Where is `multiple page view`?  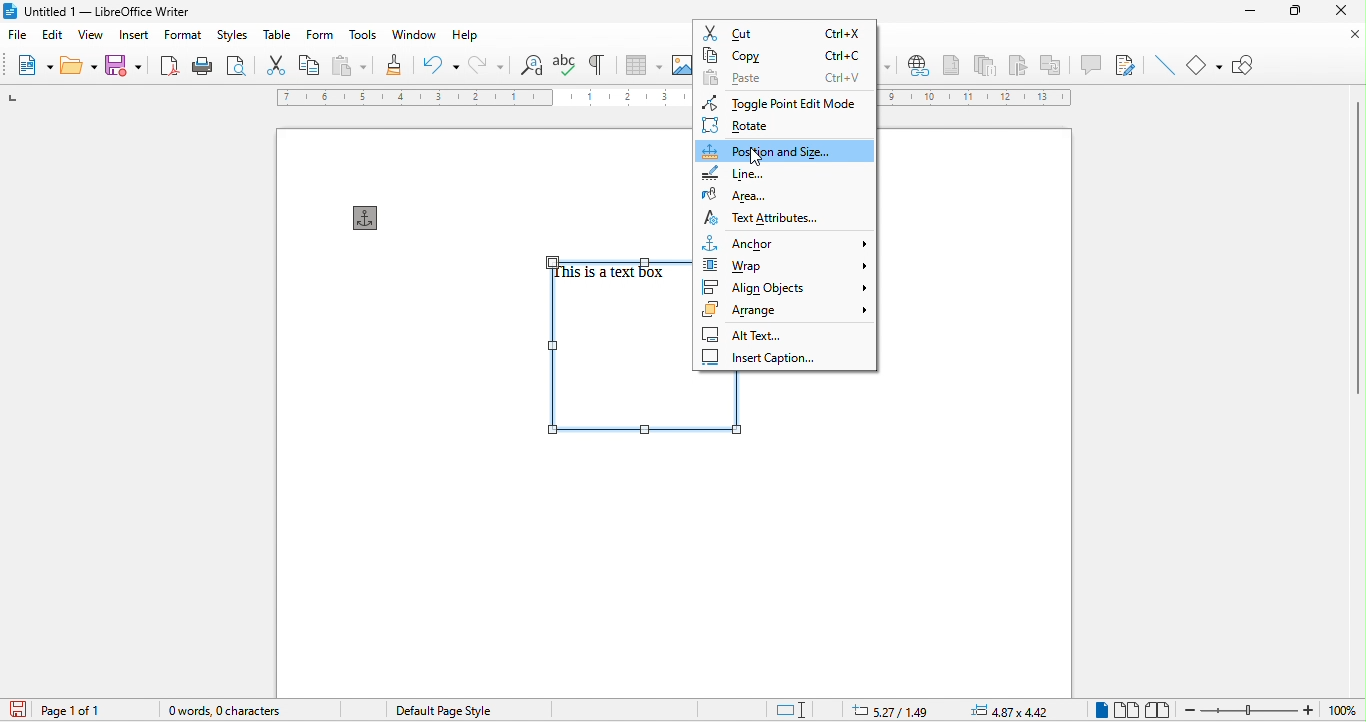 multiple page view is located at coordinates (1129, 710).